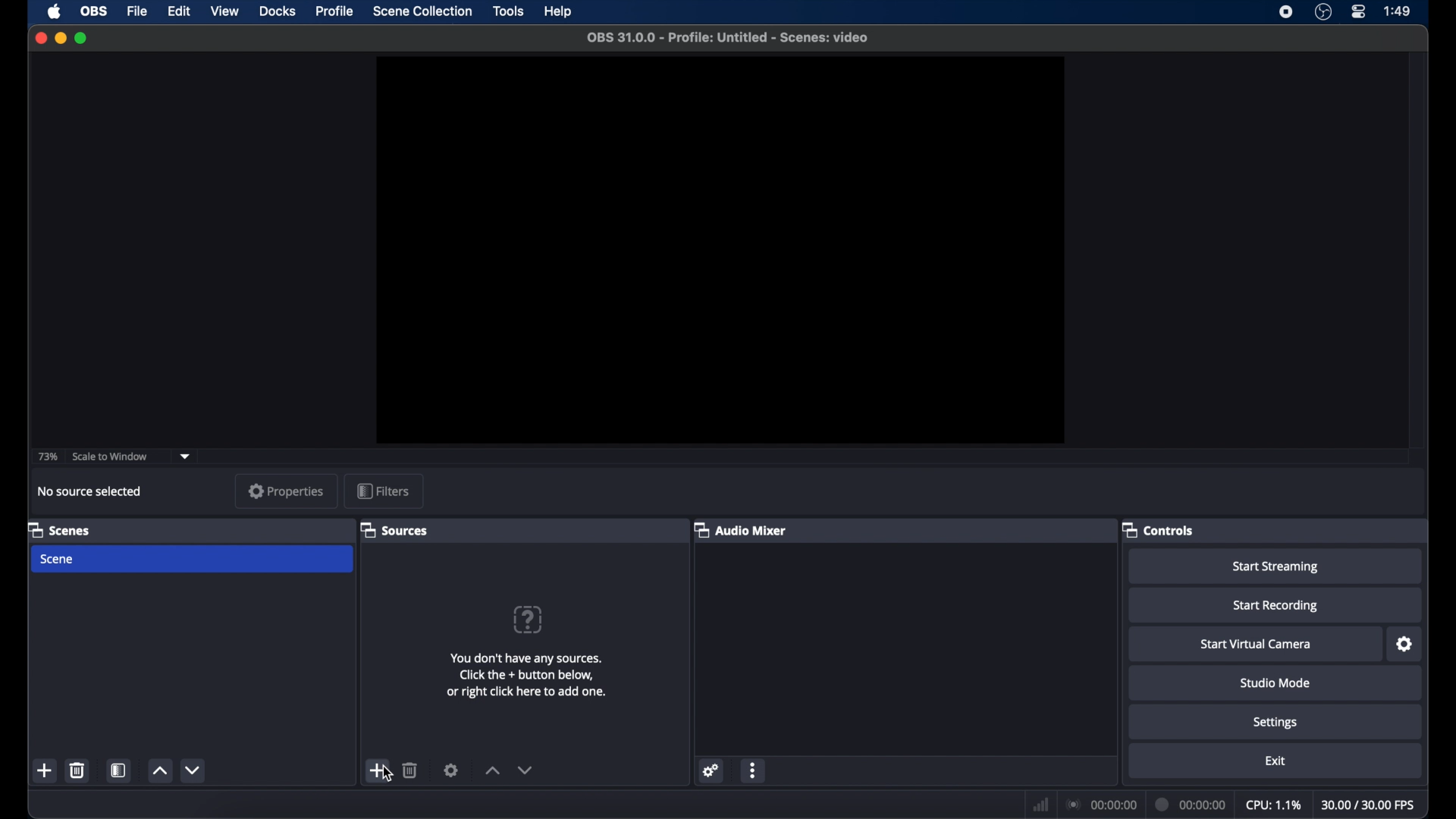 The width and height of the screenshot is (1456, 819). Describe the element at coordinates (510, 11) in the screenshot. I see `tools` at that location.